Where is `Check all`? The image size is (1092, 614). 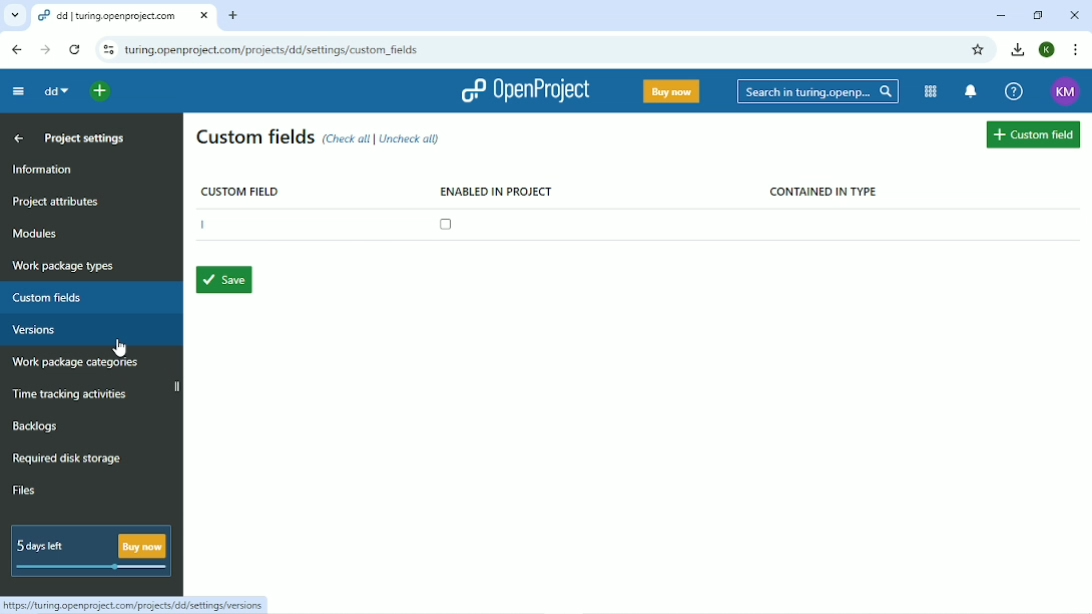 Check all is located at coordinates (348, 138).